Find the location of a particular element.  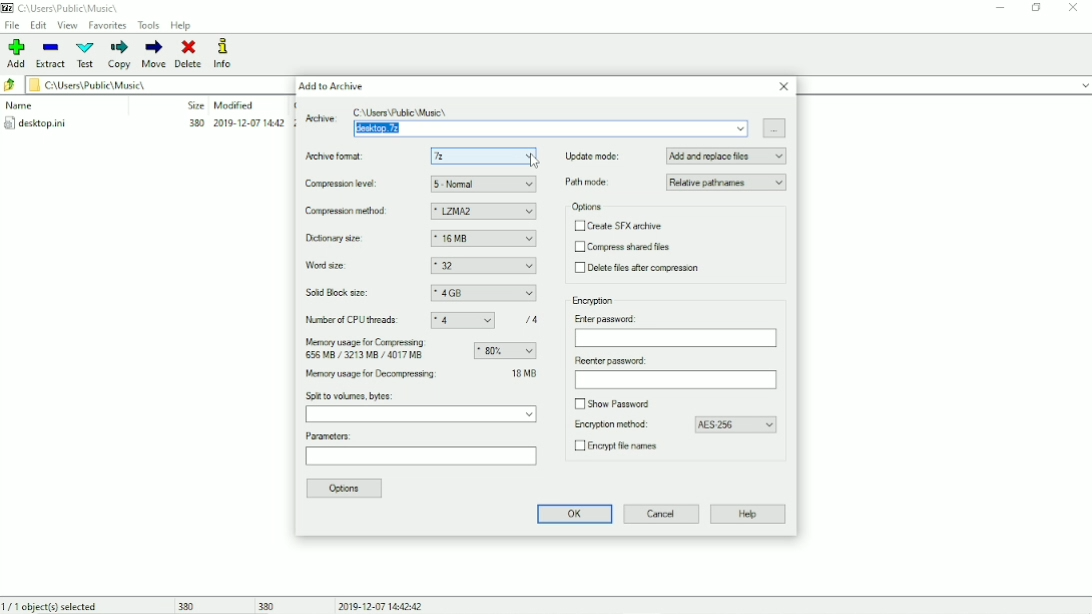

Delete is located at coordinates (189, 54).